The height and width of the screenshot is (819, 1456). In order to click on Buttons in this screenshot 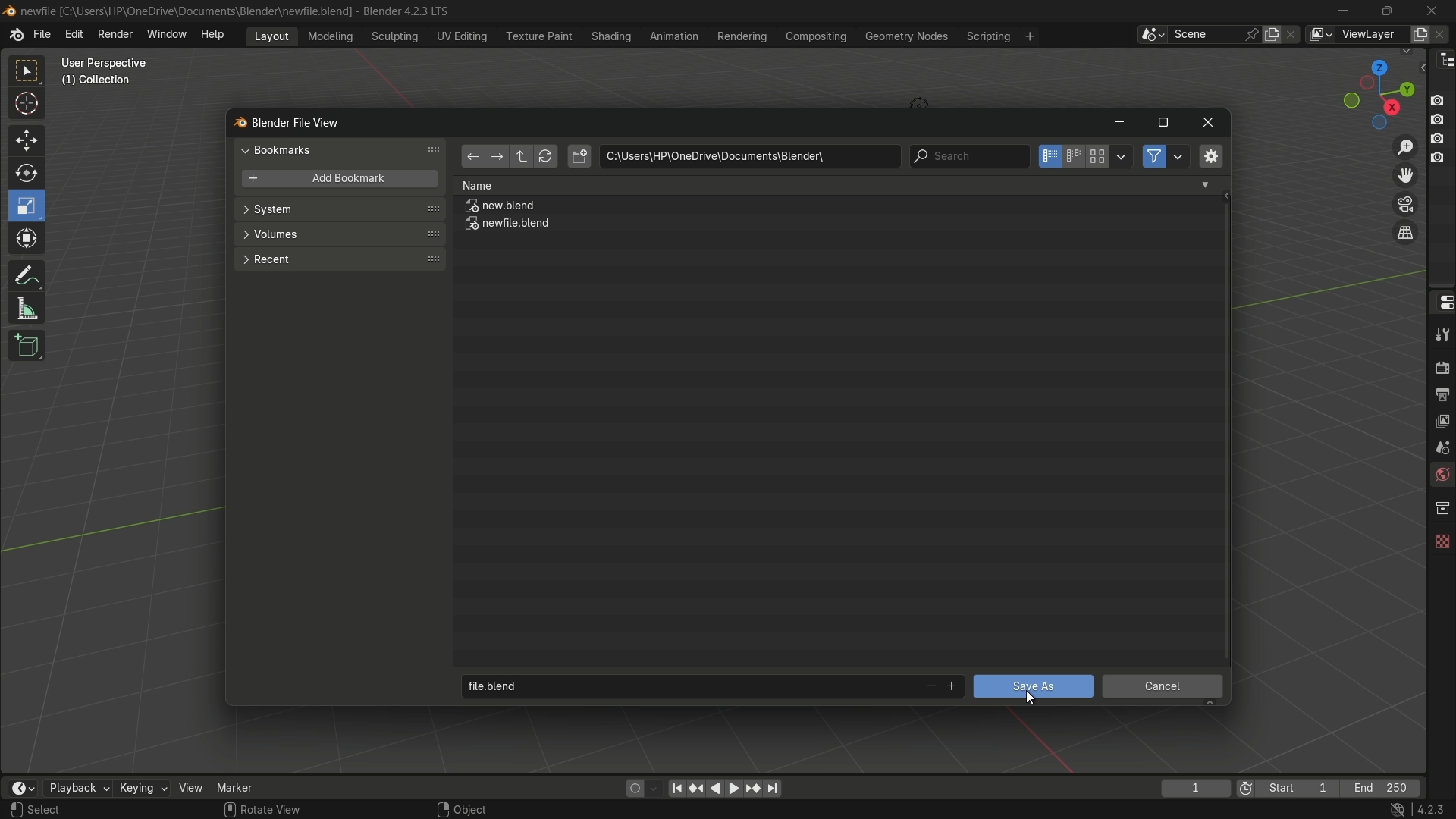, I will do `click(1443, 127)`.